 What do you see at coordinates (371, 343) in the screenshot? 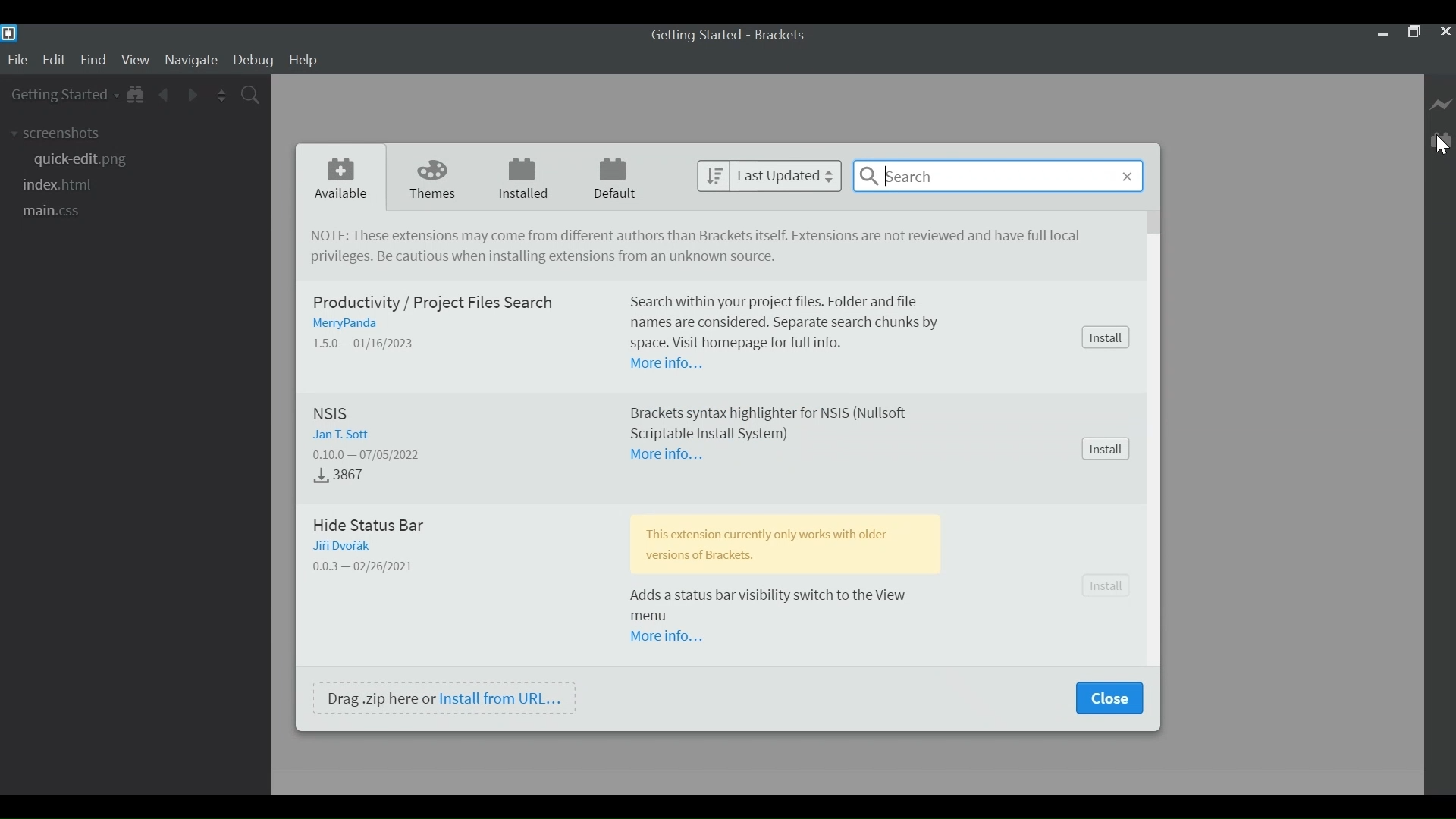
I see `1.5.0 01/16/2023` at bounding box center [371, 343].